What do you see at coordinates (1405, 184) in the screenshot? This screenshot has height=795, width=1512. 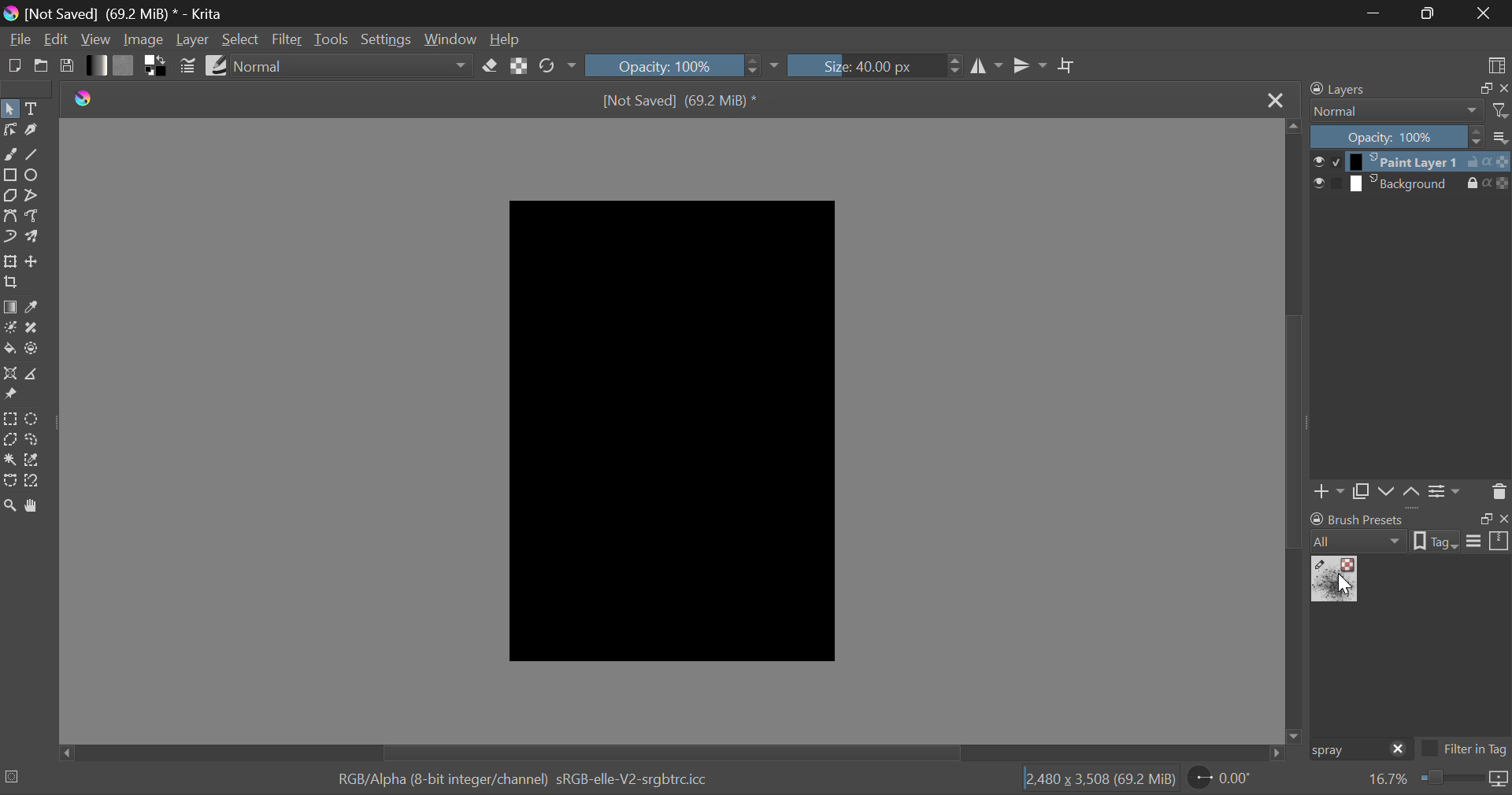 I see `layer 2` at bounding box center [1405, 184].